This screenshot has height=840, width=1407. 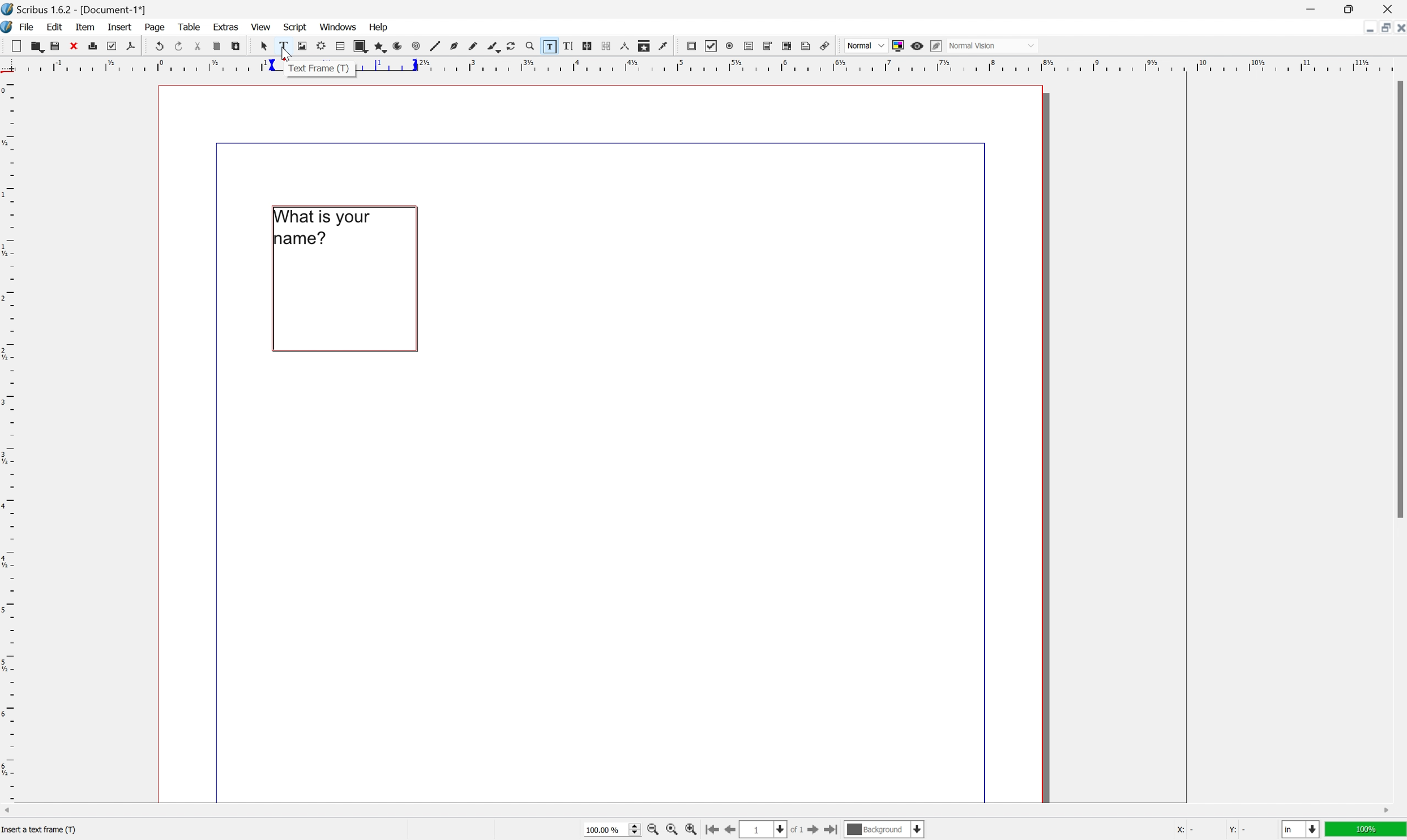 What do you see at coordinates (55, 46) in the screenshot?
I see `save` at bounding box center [55, 46].